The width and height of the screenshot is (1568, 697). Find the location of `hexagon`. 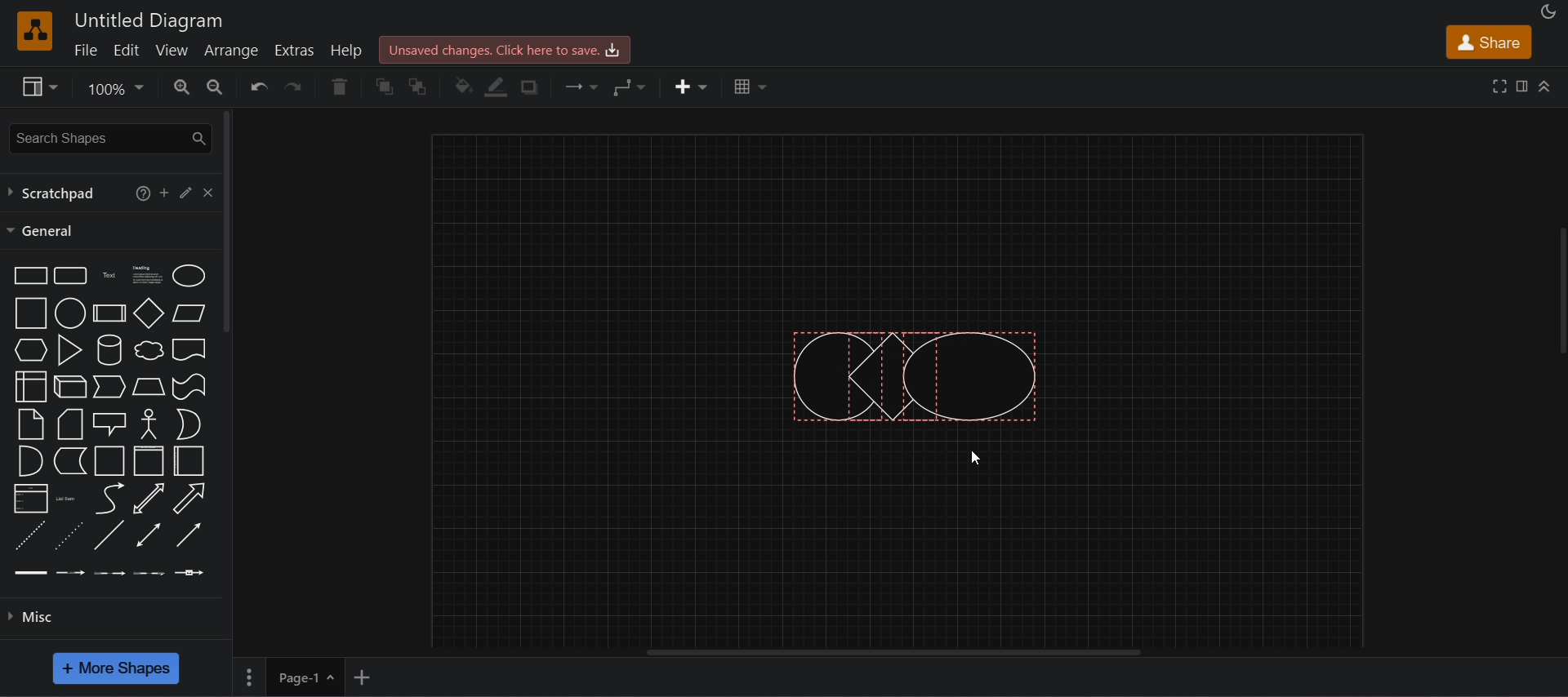

hexagon is located at coordinates (29, 349).